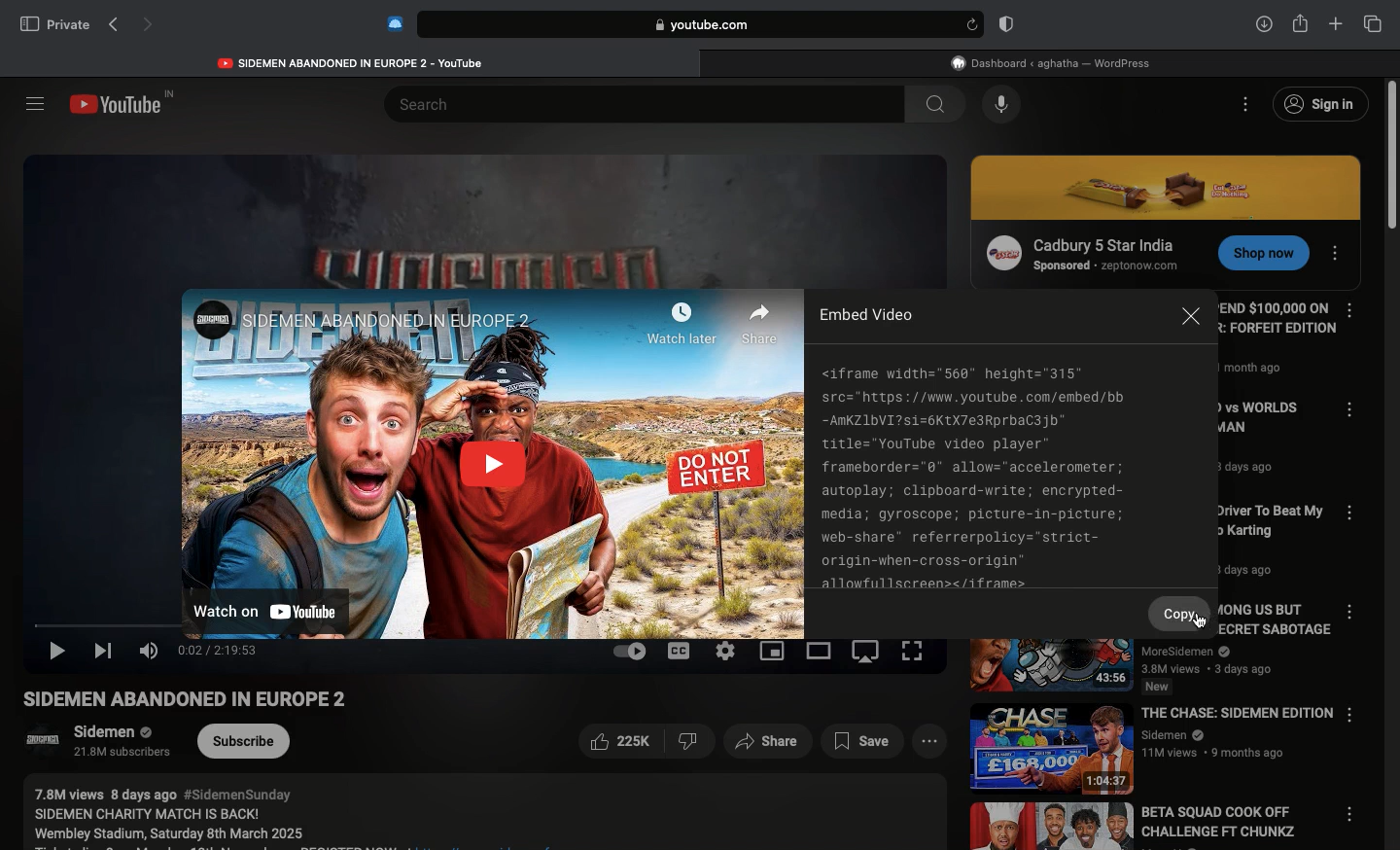 The width and height of the screenshot is (1400, 850). Describe the element at coordinates (1191, 320) in the screenshot. I see `Close` at that location.